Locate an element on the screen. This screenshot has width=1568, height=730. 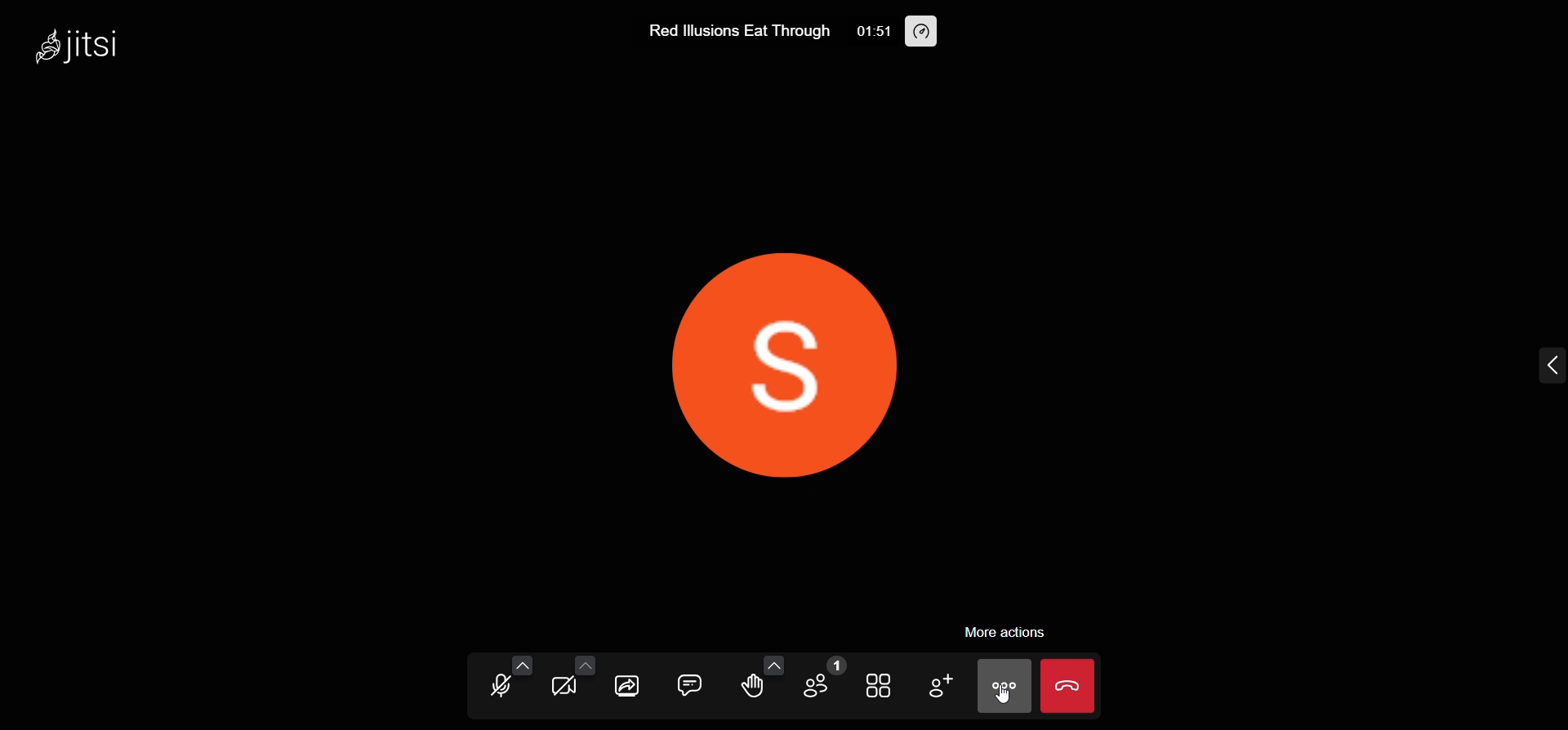
camera is located at coordinates (565, 689).